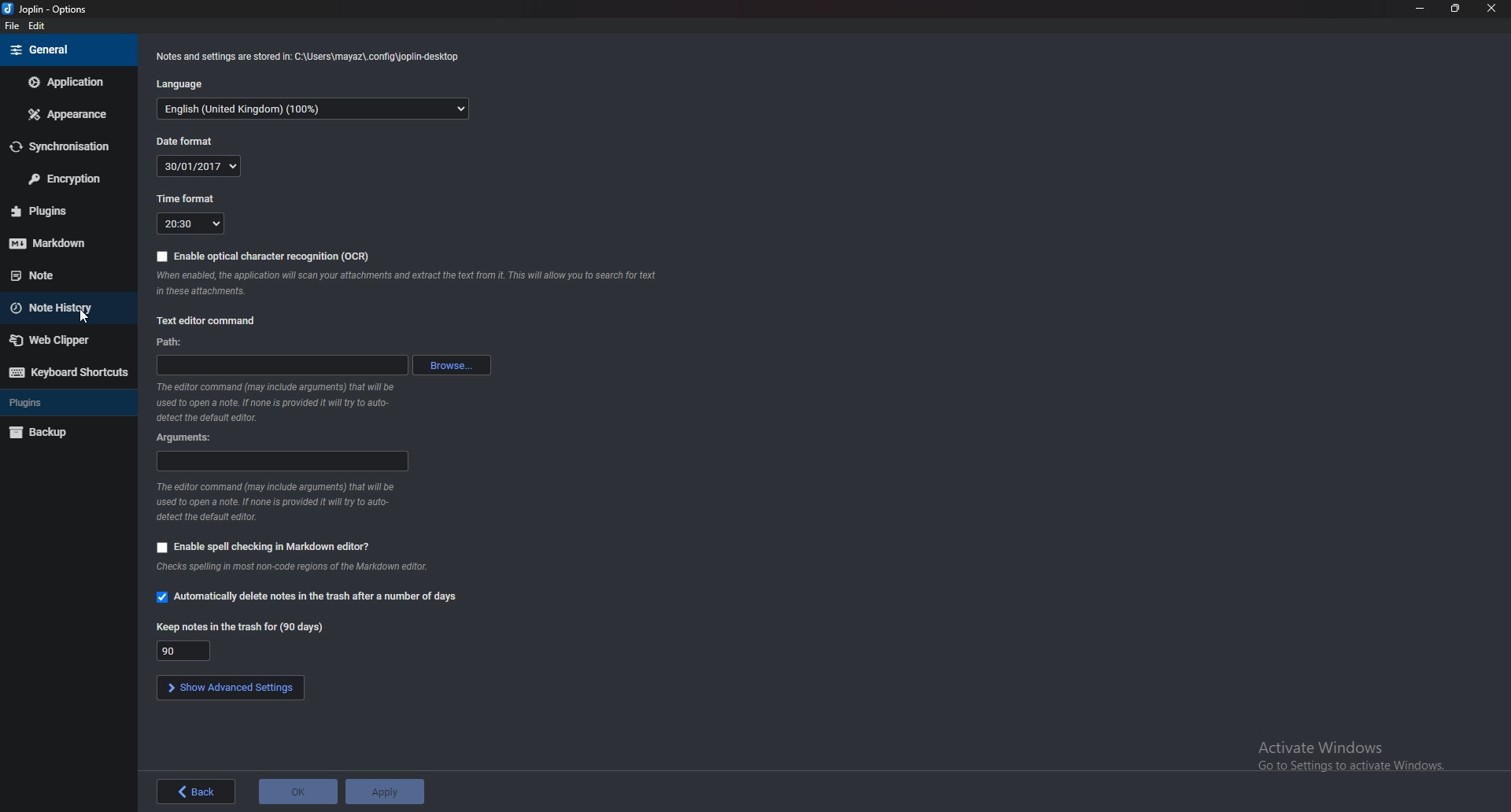 The width and height of the screenshot is (1511, 812). Describe the element at coordinates (64, 242) in the screenshot. I see `Mark down` at that location.